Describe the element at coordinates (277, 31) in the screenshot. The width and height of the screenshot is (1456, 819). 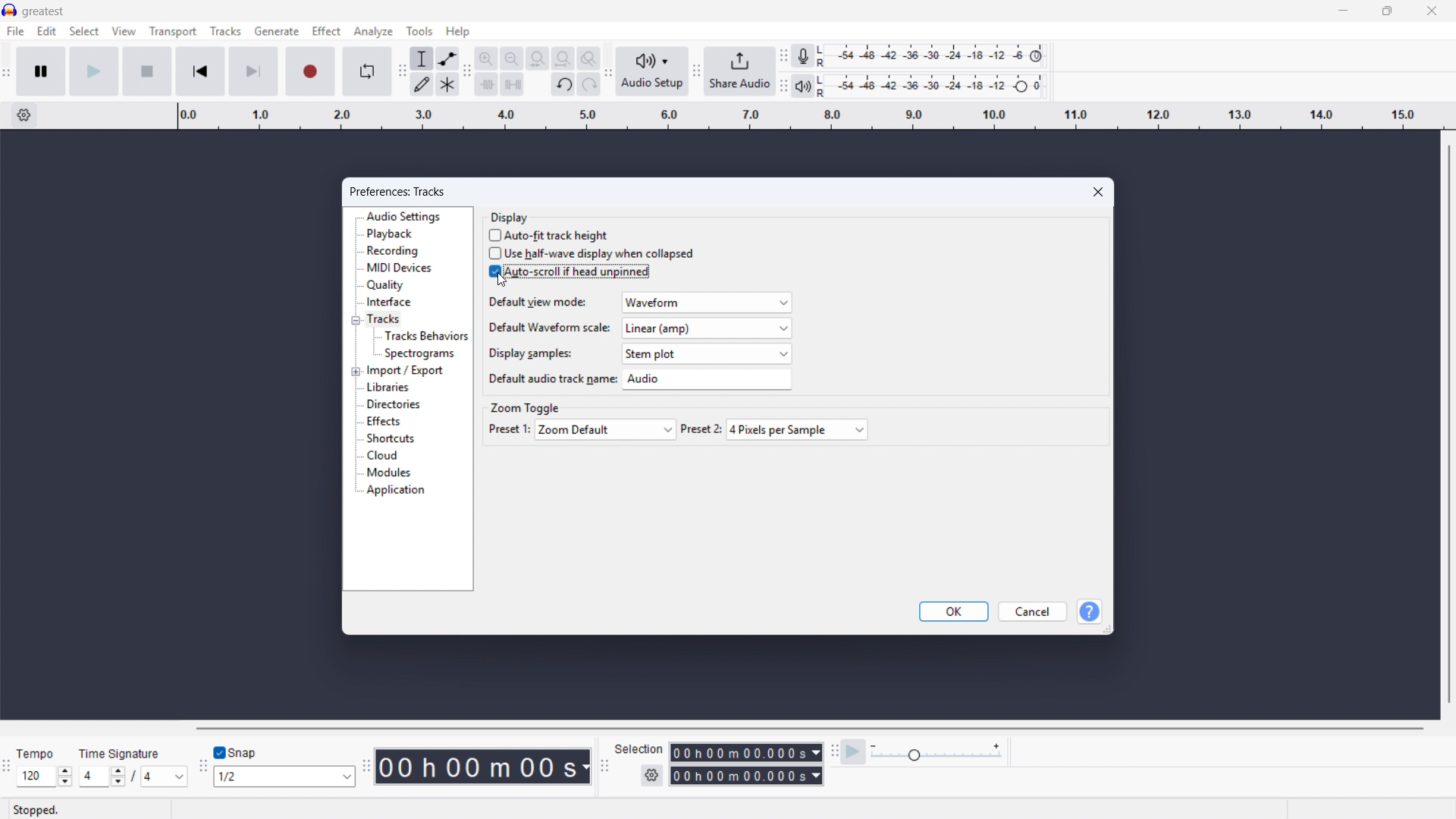
I see `Generate ` at that location.